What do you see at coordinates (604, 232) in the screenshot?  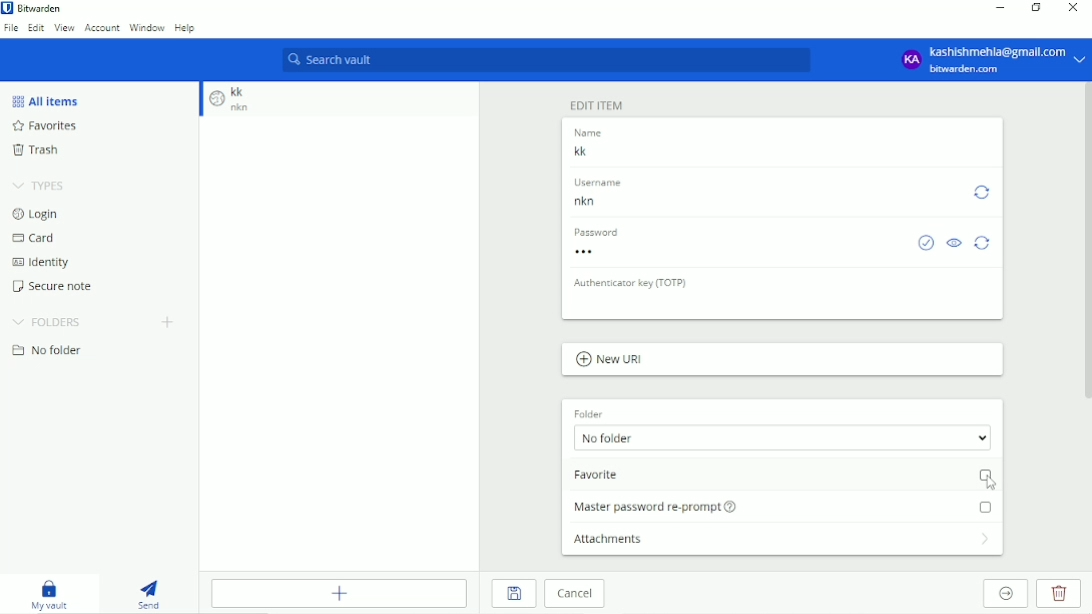 I see `password label` at bounding box center [604, 232].